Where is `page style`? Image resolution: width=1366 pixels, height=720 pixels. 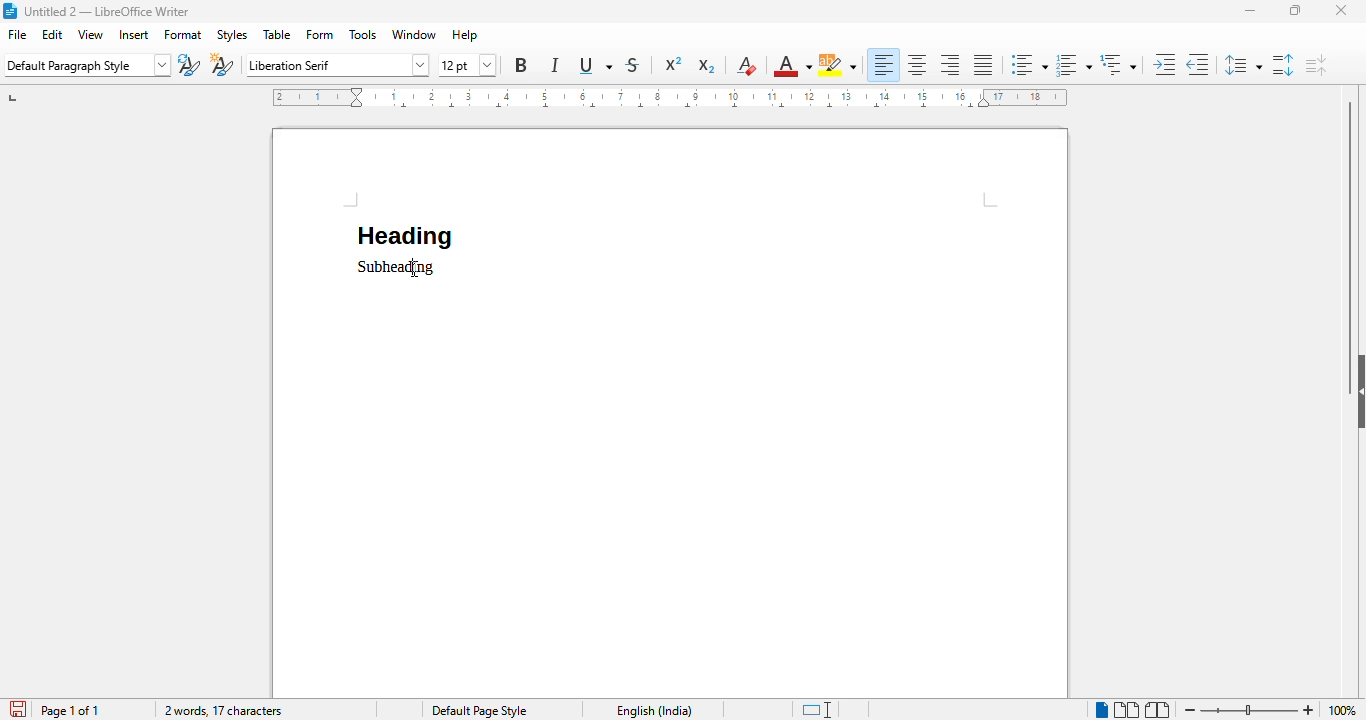 page style is located at coordinates (479, 710).